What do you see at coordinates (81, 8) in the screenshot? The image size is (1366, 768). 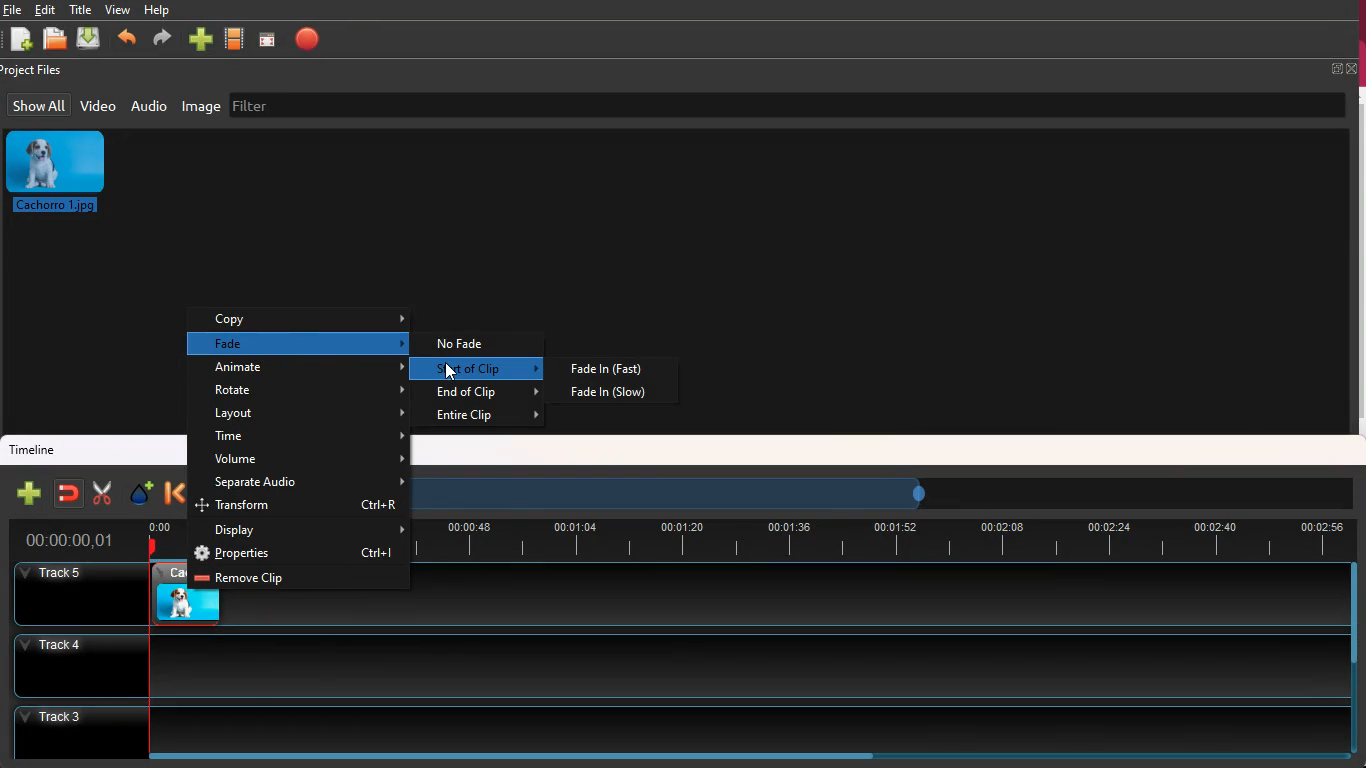 I see `title` at bounding box center [81, 8].